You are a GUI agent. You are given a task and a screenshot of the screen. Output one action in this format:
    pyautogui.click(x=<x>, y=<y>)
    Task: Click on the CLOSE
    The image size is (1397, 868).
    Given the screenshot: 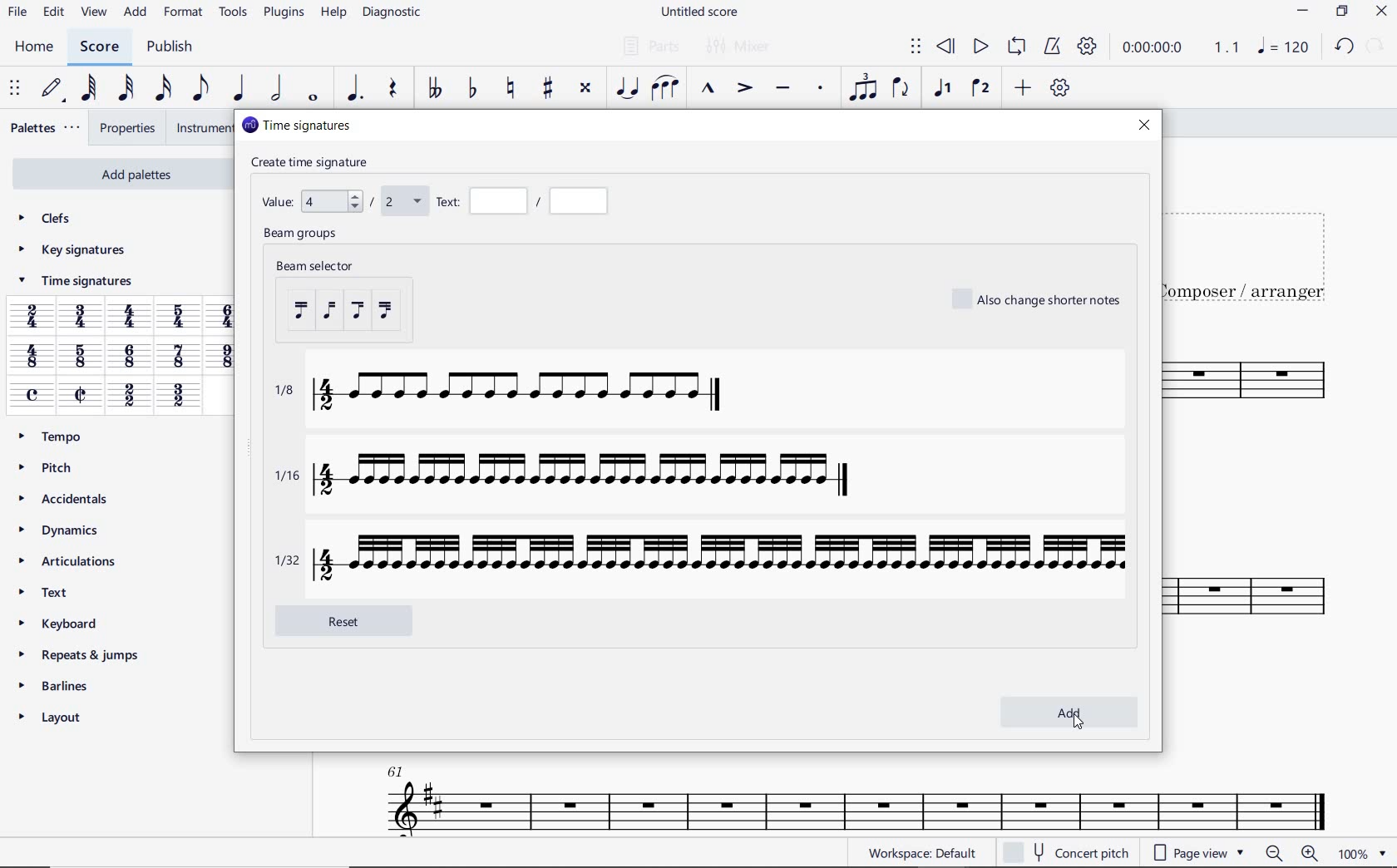 What is the action you would take?
    pyautogui.click(x=1381, y=12)
    